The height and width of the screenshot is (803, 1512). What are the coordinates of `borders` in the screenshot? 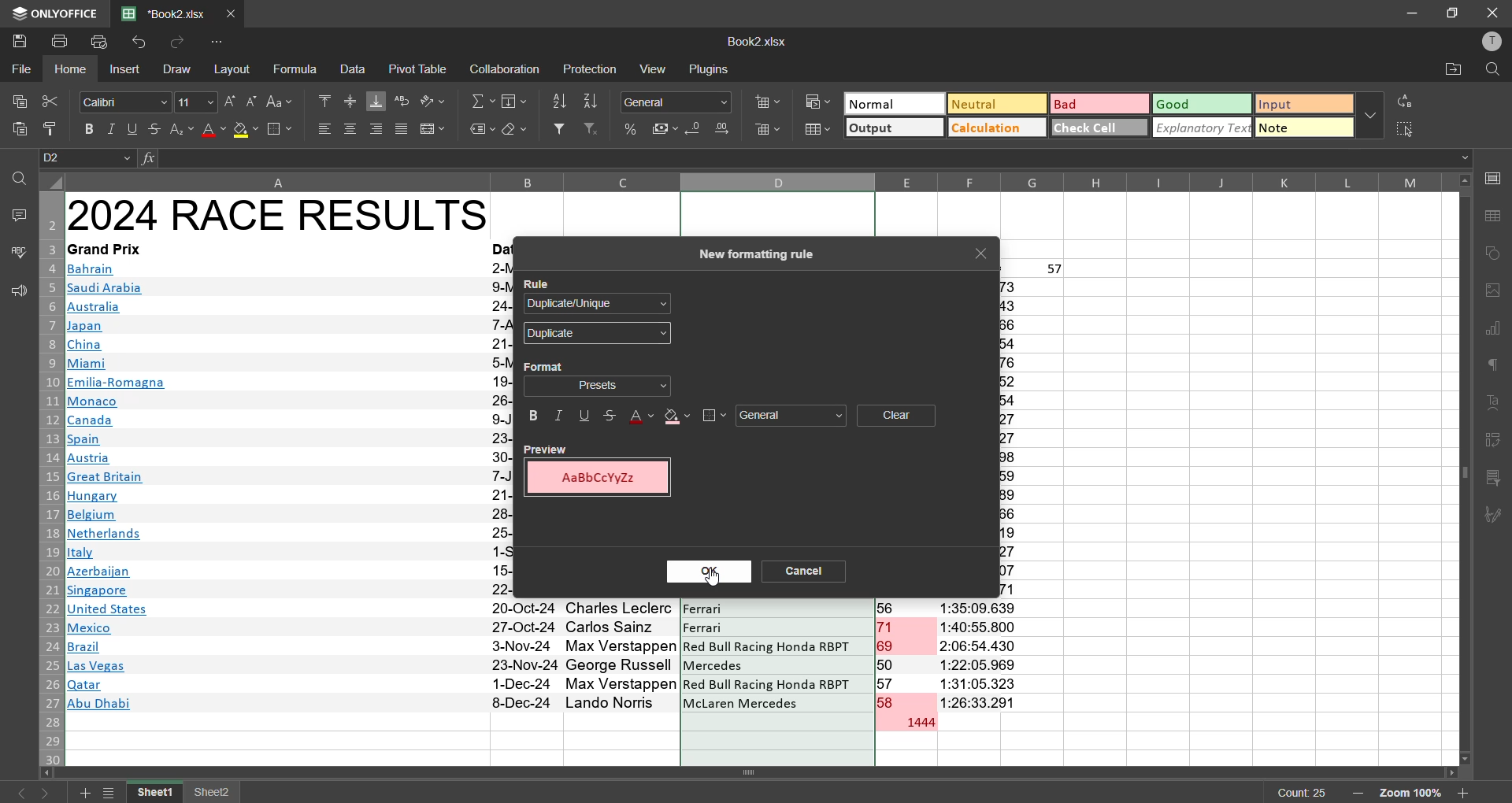 It's located at (280, 130).